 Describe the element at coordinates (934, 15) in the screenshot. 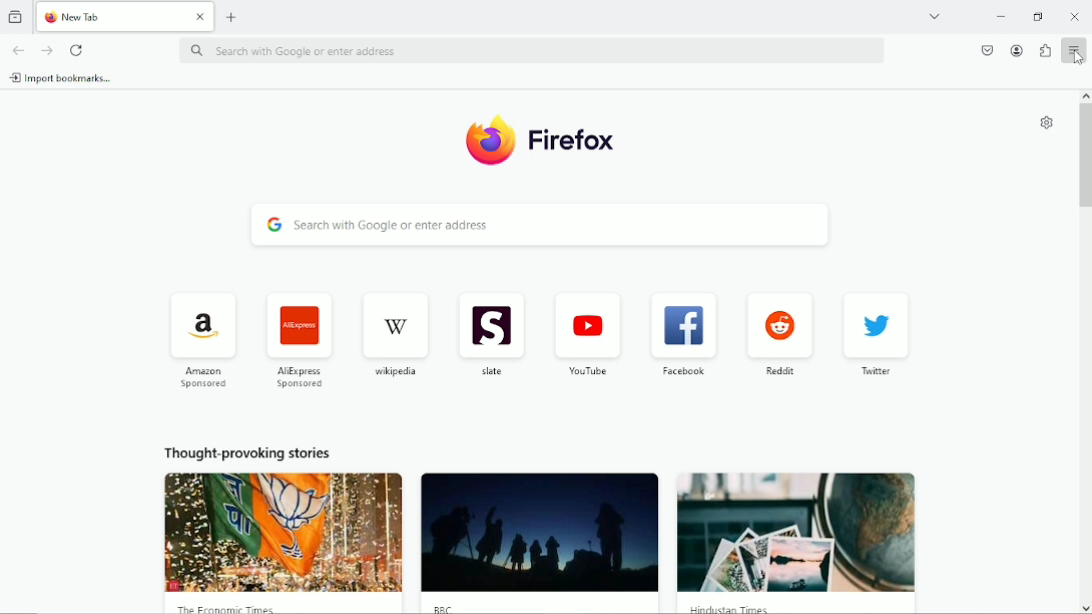

I see `list all tabs` at that location.